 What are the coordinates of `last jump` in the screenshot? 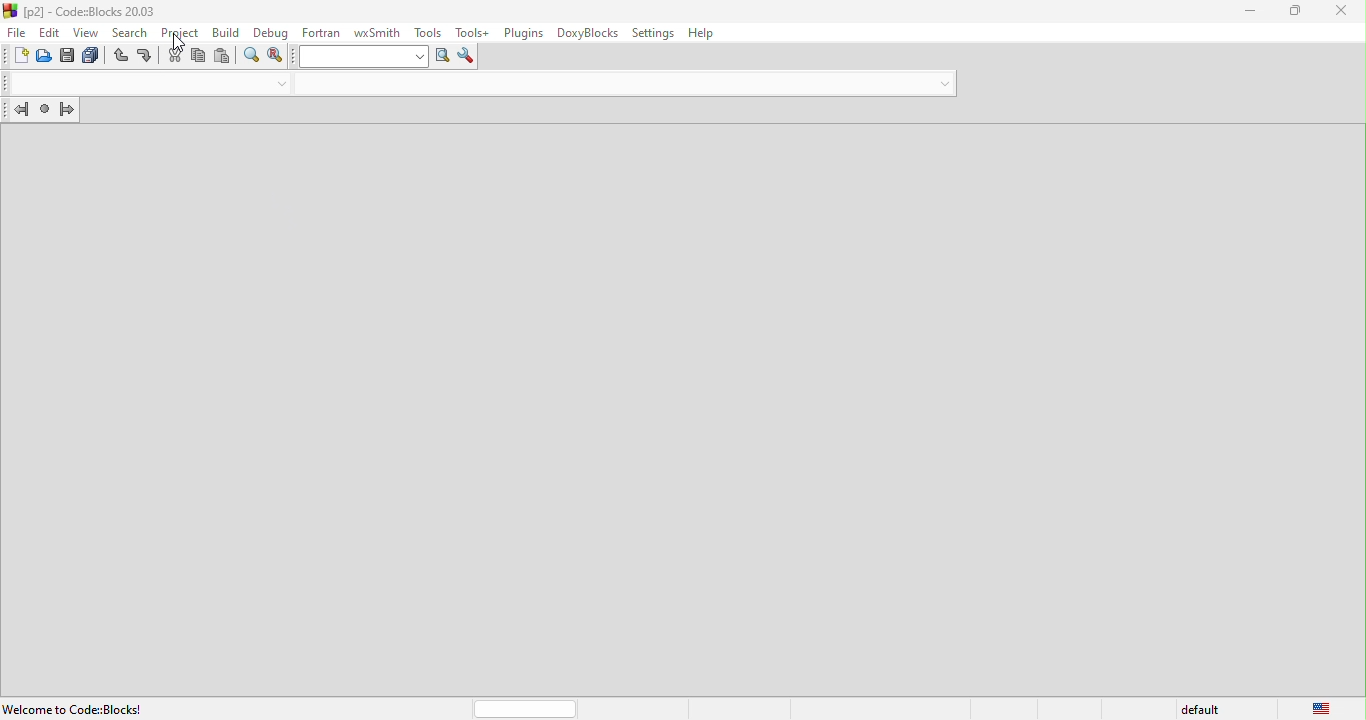 It's located at (44, 112).